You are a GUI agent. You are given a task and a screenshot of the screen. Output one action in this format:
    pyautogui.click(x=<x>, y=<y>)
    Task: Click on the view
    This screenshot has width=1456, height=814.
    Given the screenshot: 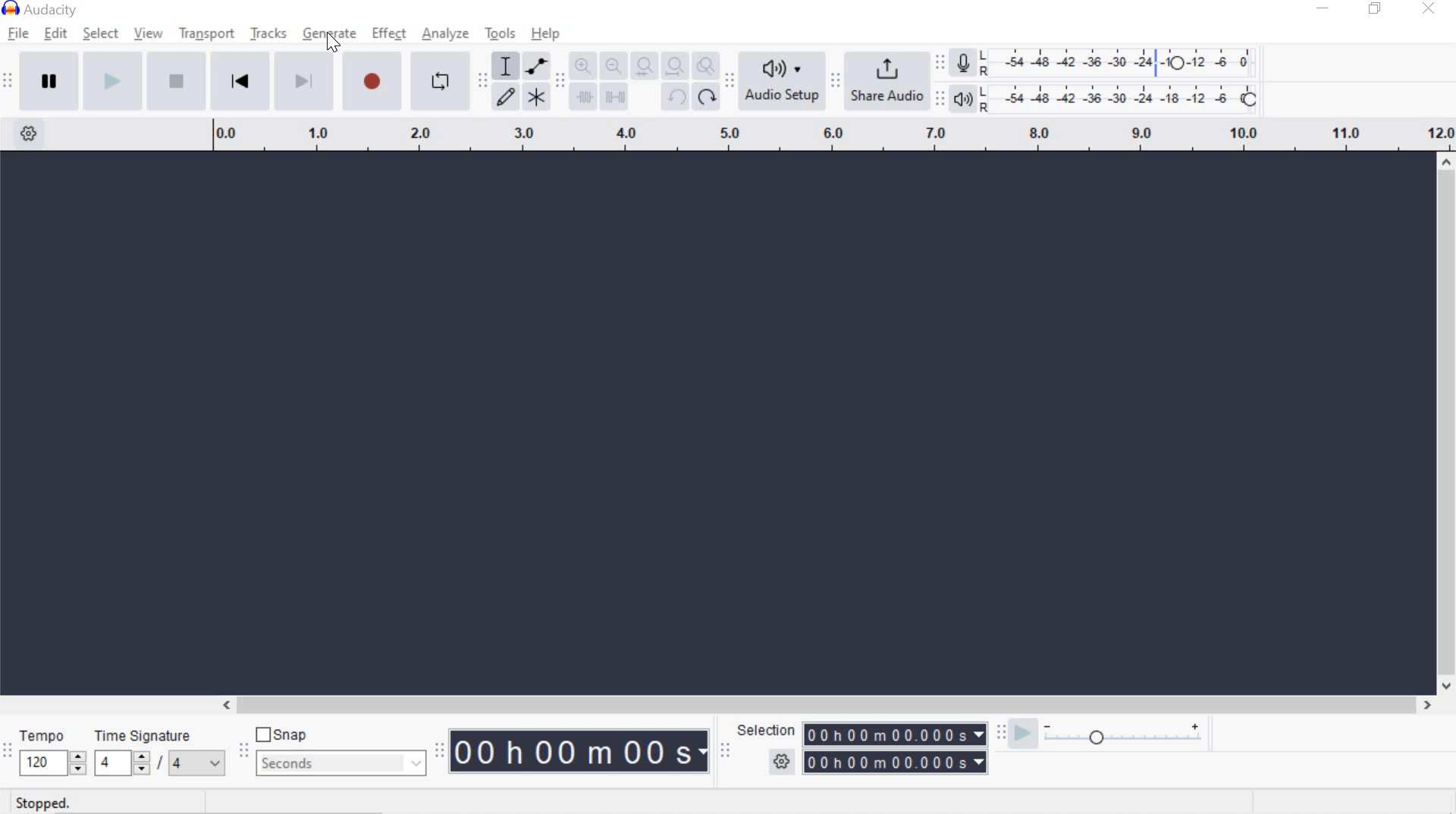 What is the action you would take?
    pyautogui.click(x=149, y=33)
    